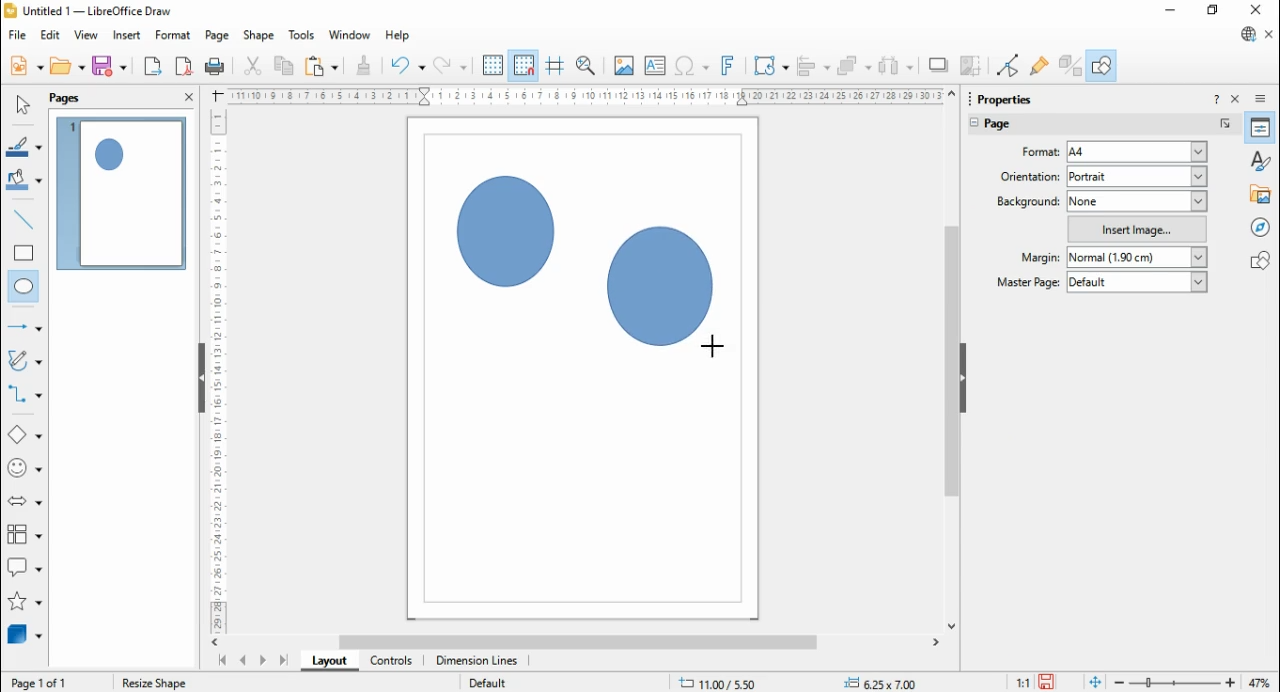  What do you see at coordinates (86, 35) in the screenshot?
I see `view` at bounding box center [86, 35].